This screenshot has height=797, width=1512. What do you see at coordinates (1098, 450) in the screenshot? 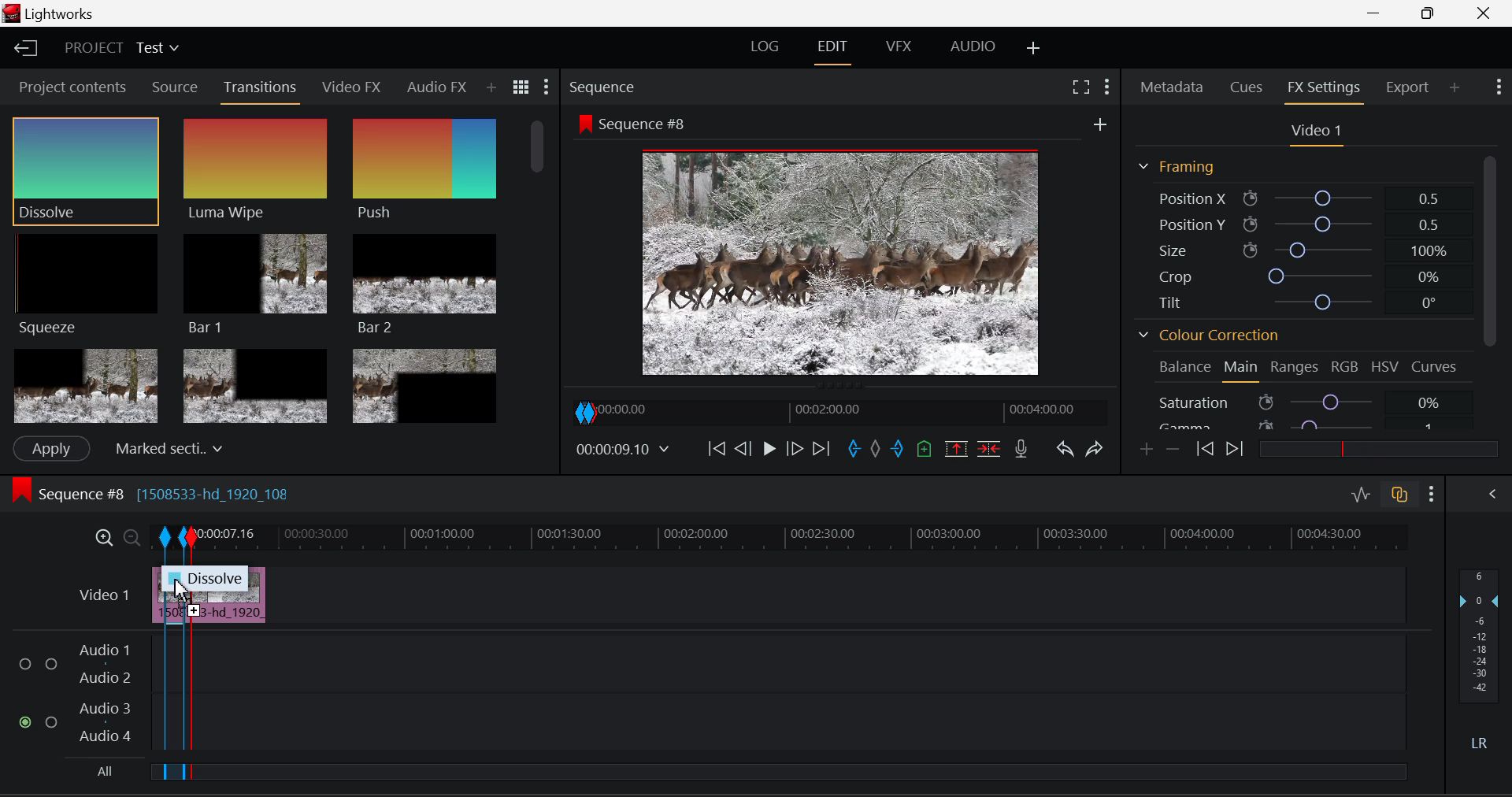
I see `Redo` at bounding box center [1098, 450].